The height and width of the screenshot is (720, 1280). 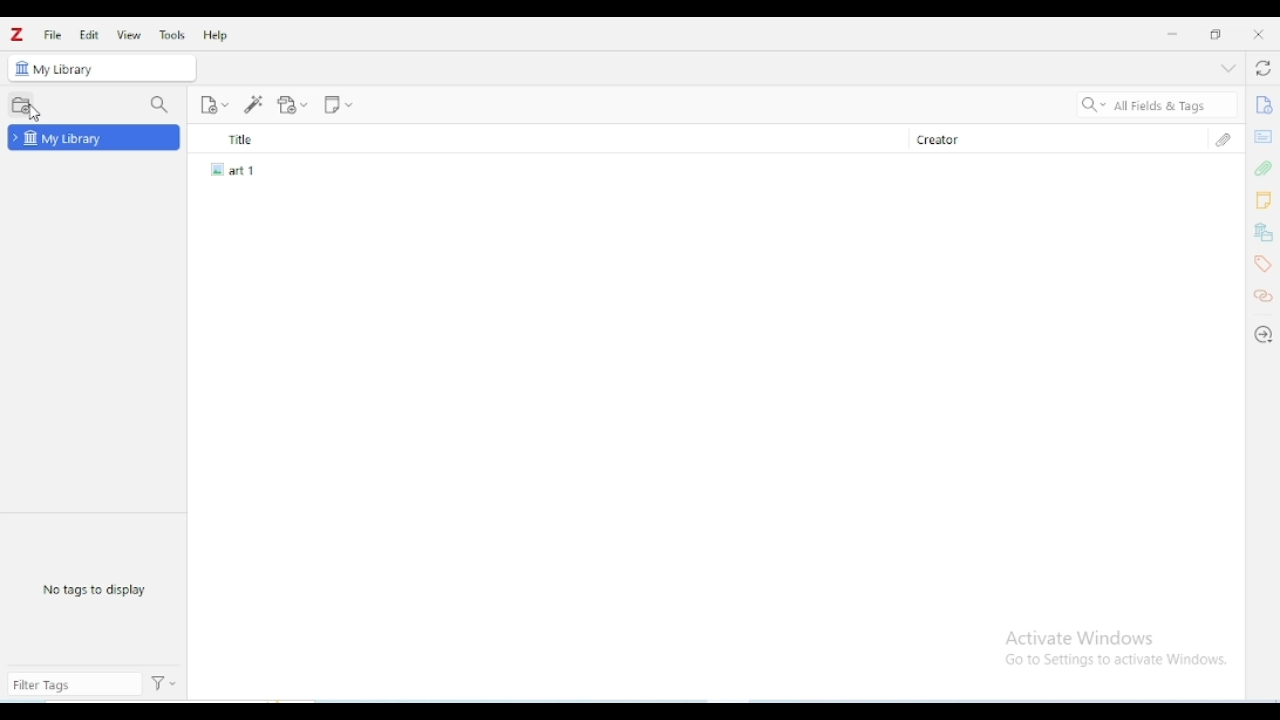 I want to click on maximize, so click(x=1216, y=34).